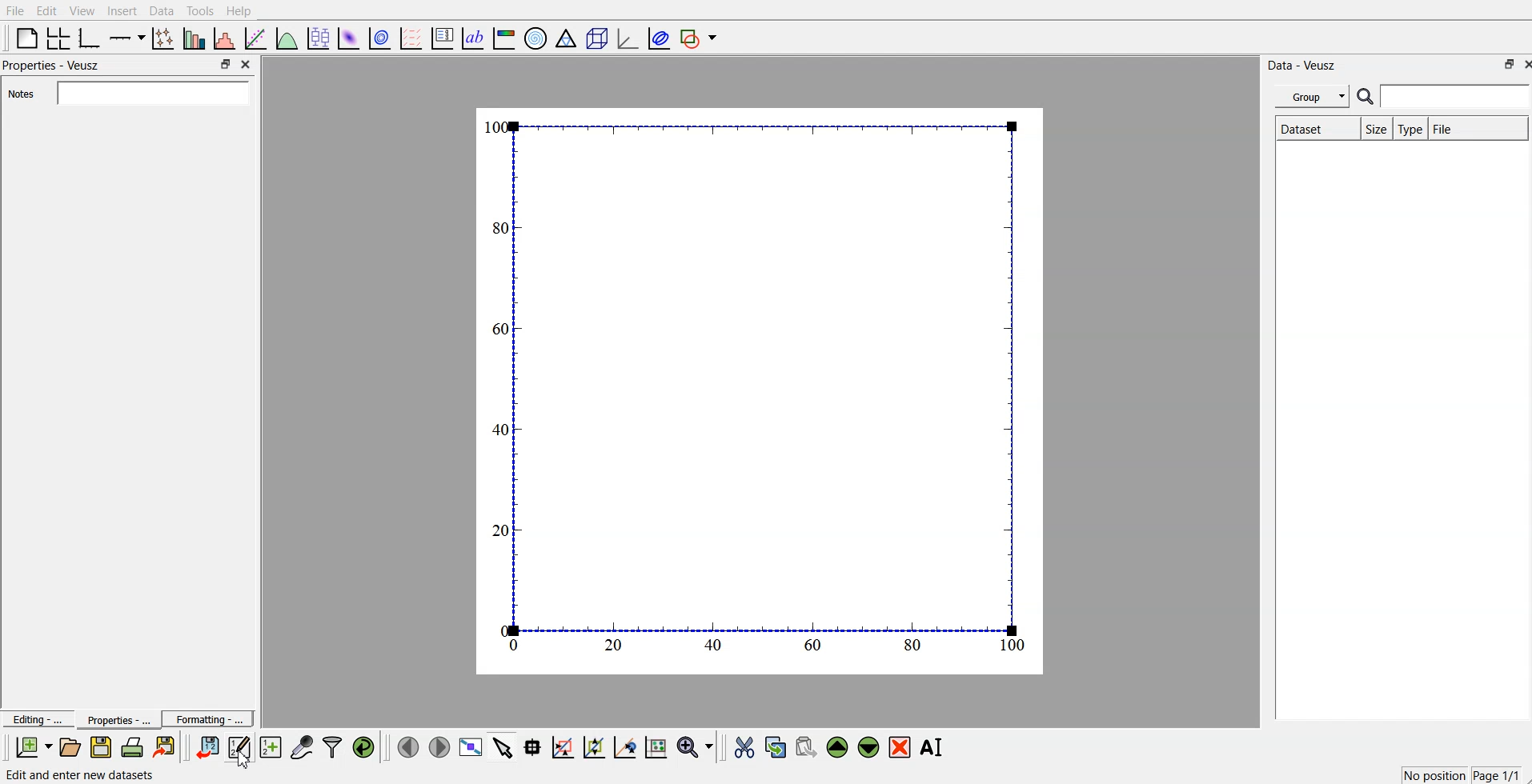  What do you see at coordinates (505, 37) in the screenshot?
I see `image color bar` at bounding box center [505, 37].